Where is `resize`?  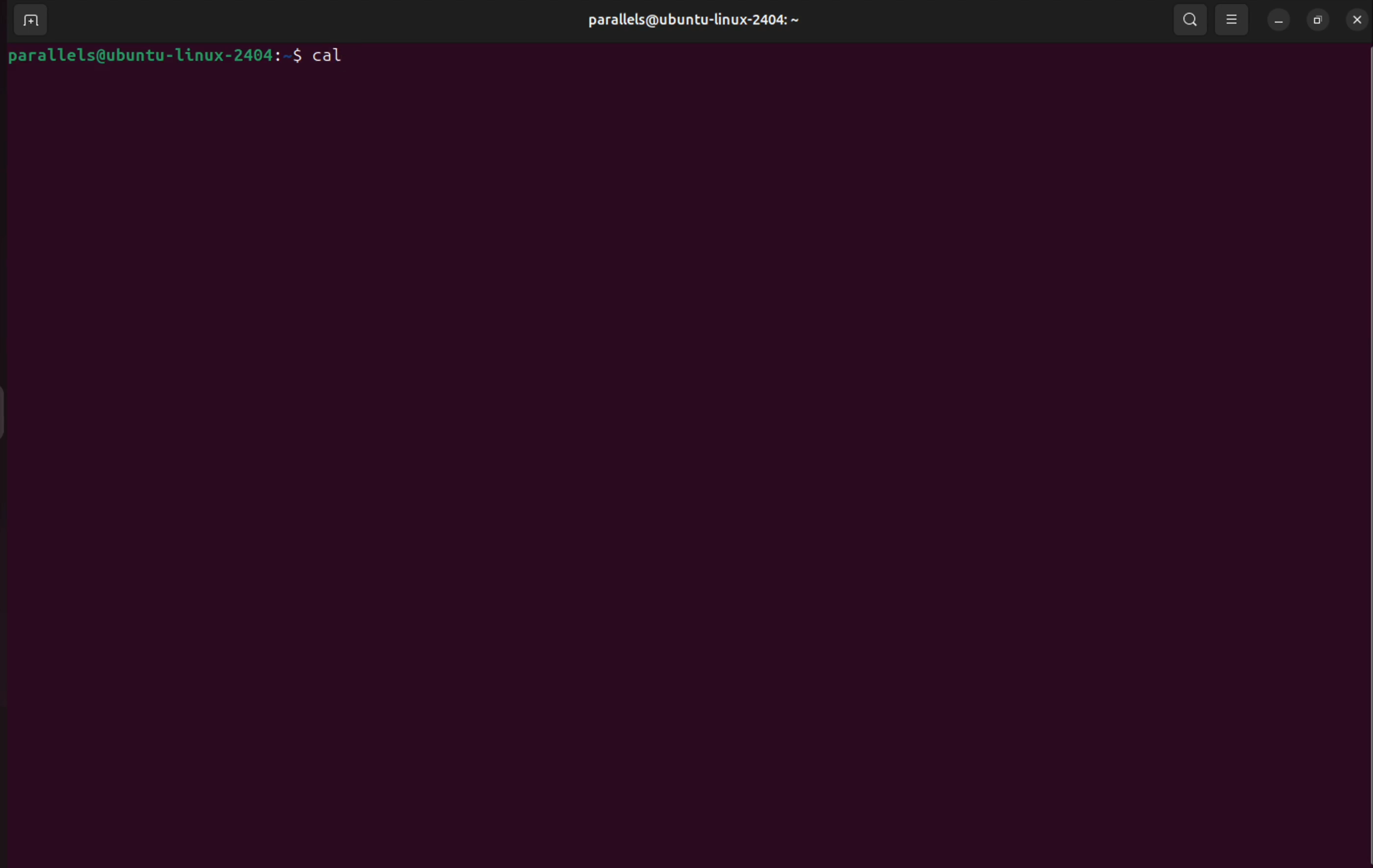 resize is located at coordinates (1315, 20).